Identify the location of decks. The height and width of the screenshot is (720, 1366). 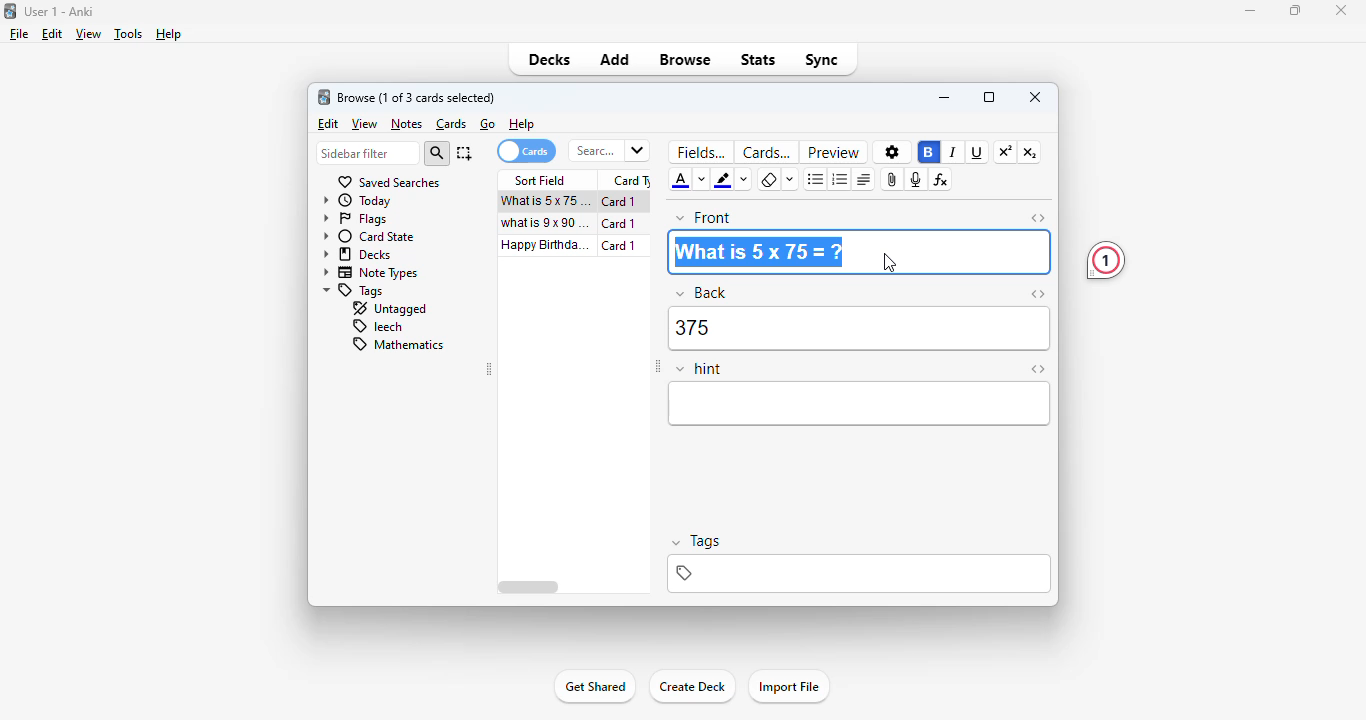
(356, 254).